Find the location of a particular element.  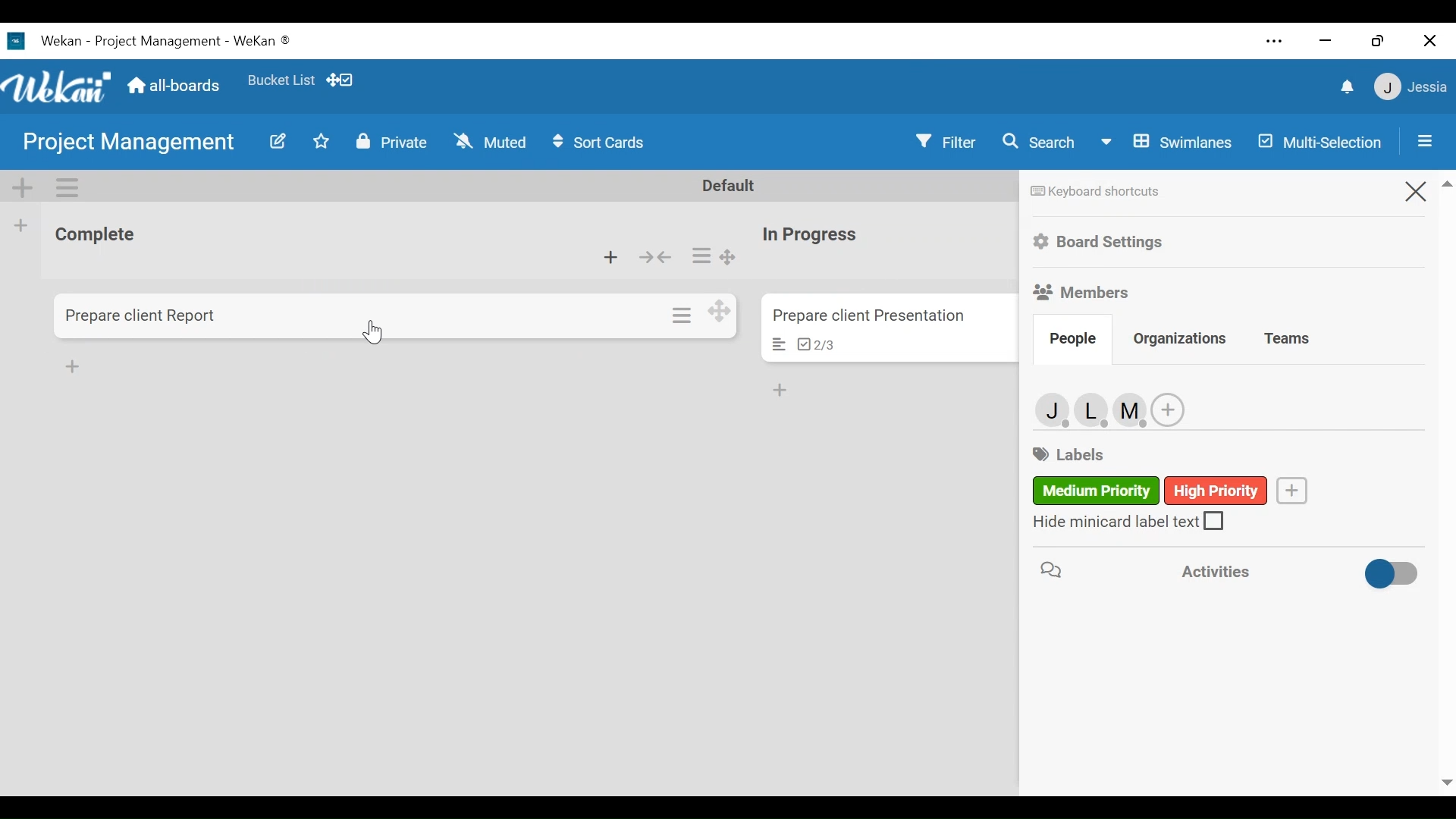

Members is located at coordinates (1053, 410).